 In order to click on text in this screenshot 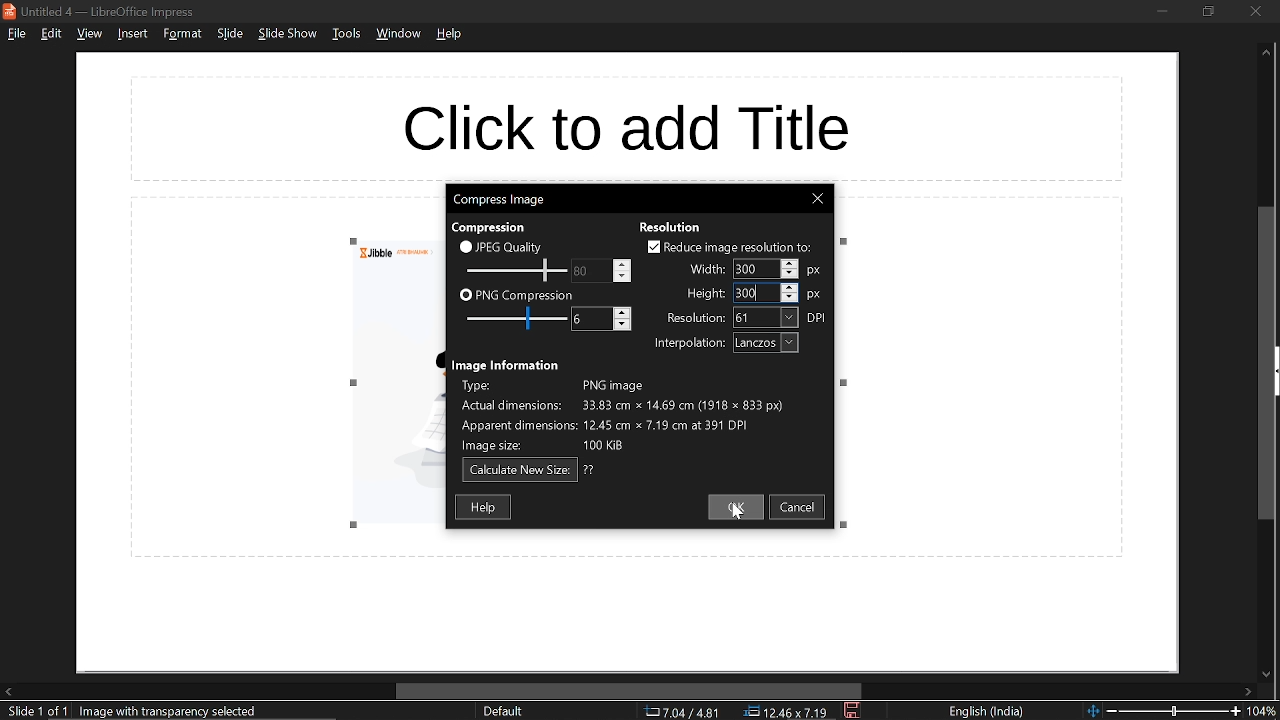, I will do `click(506, 364)`.